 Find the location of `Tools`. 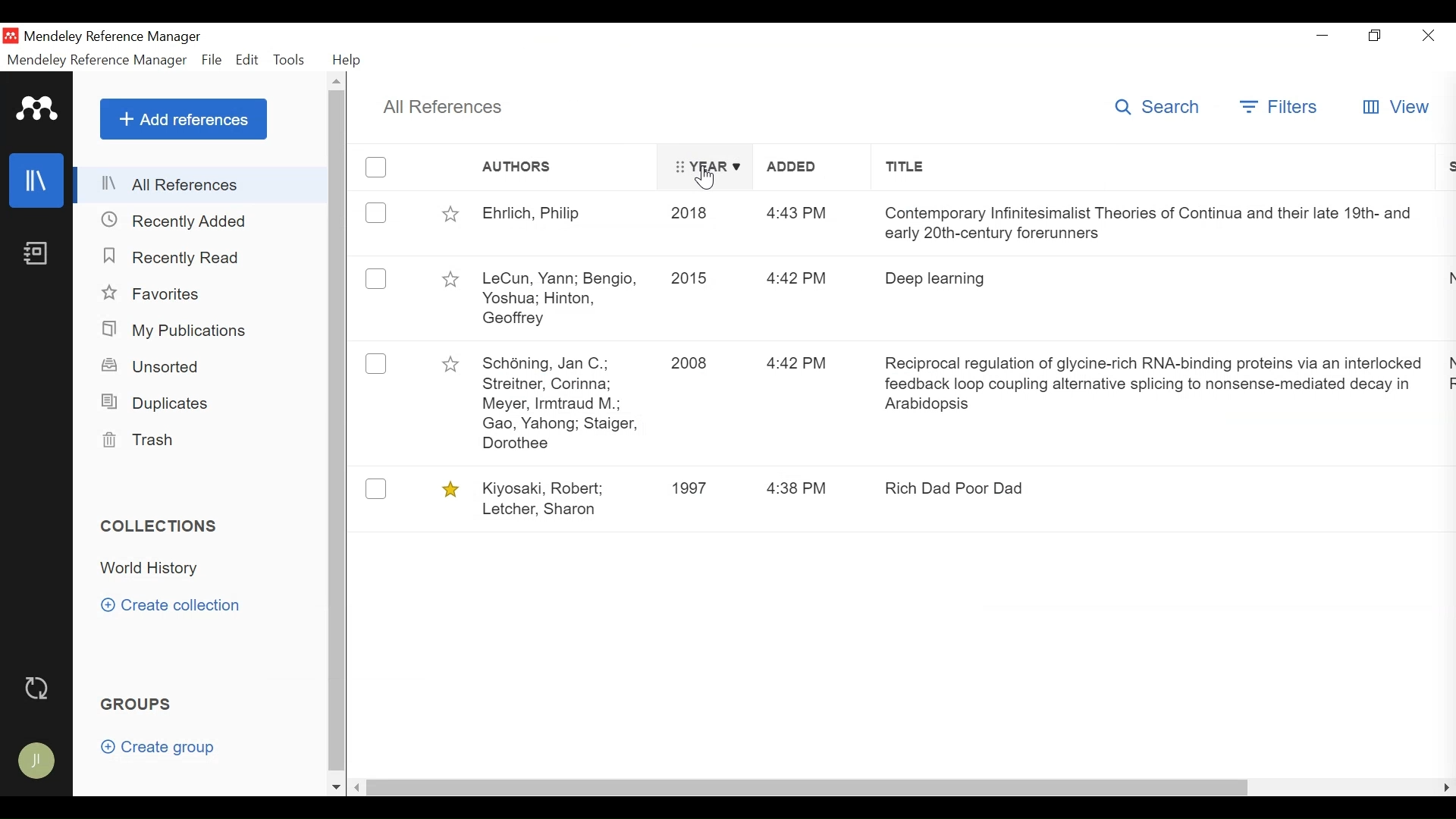

Tools is located at coordinates (288, 60).